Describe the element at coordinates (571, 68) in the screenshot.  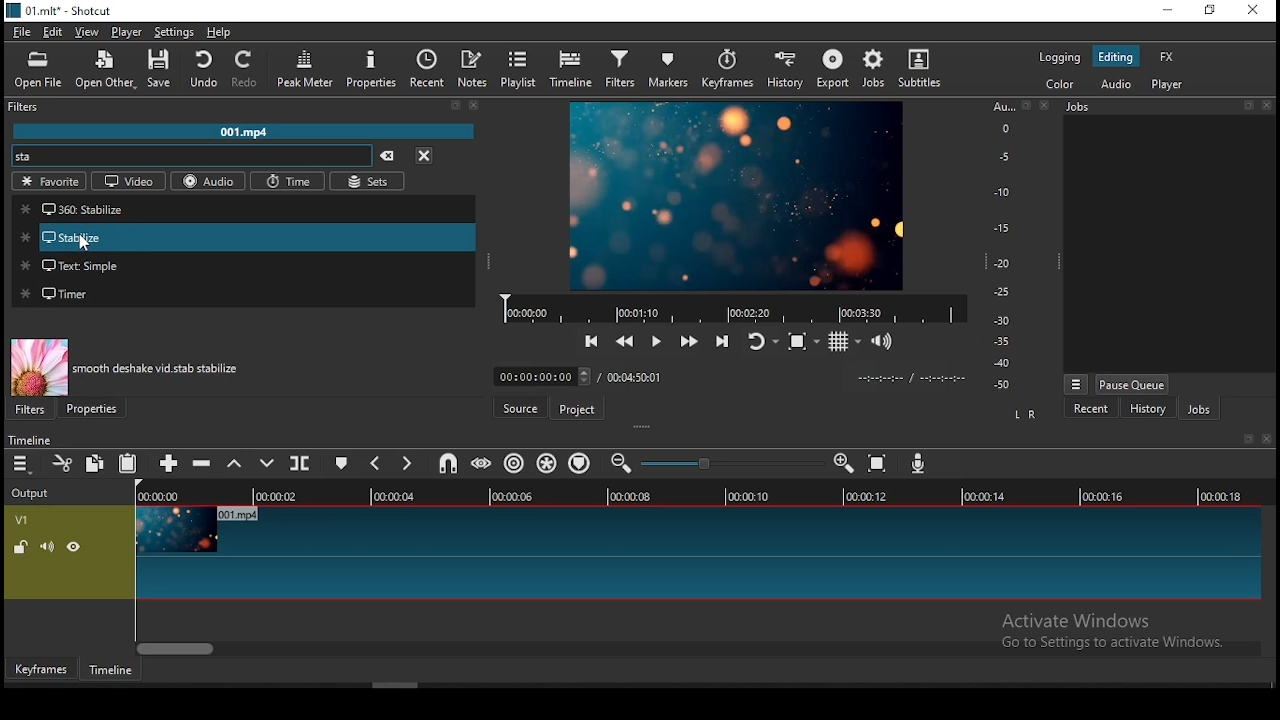
I see `timeline` at that location.